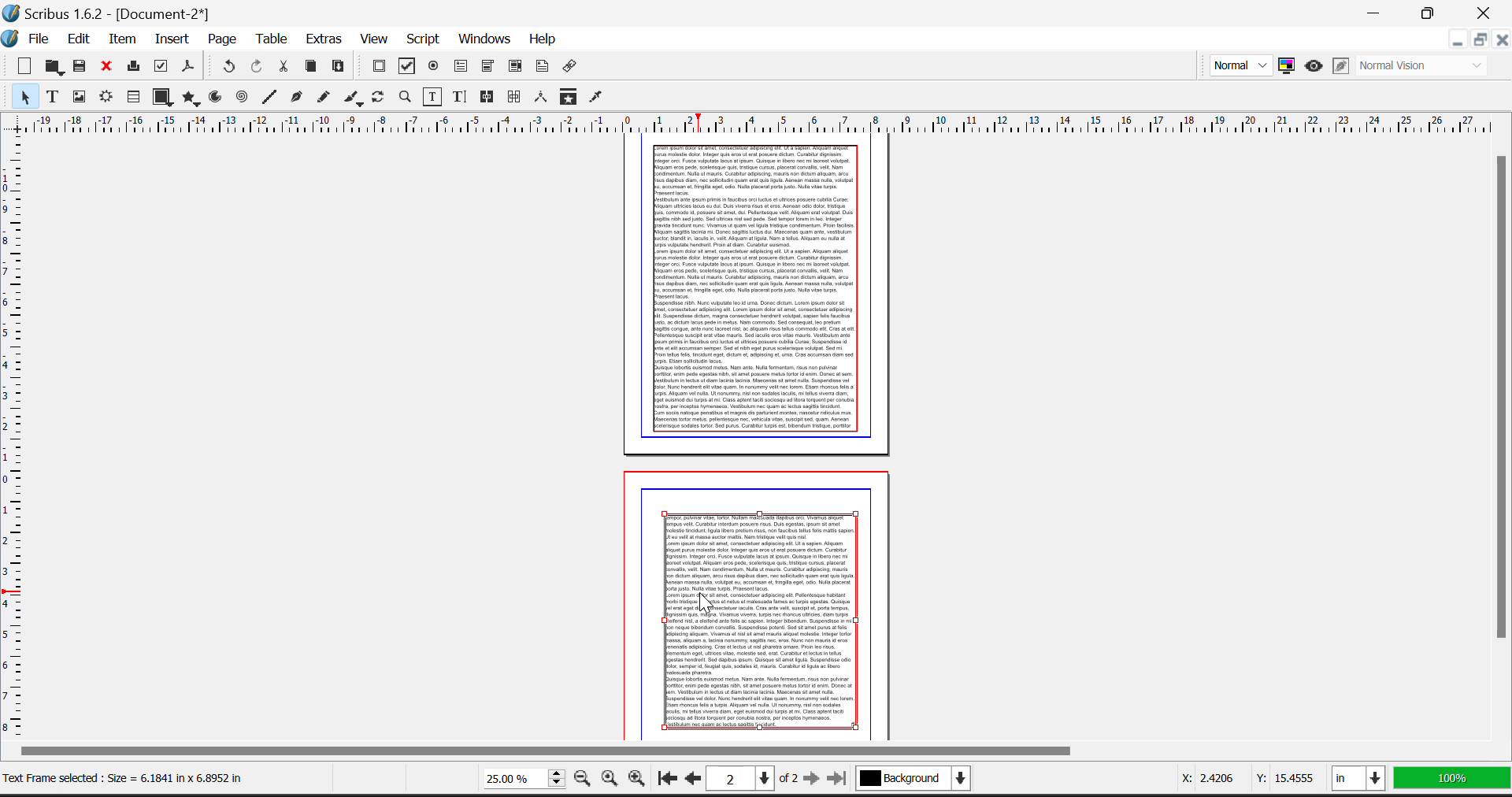 This screenshot has height=797, width=1512. Describe the element at coordinates (259, 69) in the screenshot. I see `Redo` at that location.